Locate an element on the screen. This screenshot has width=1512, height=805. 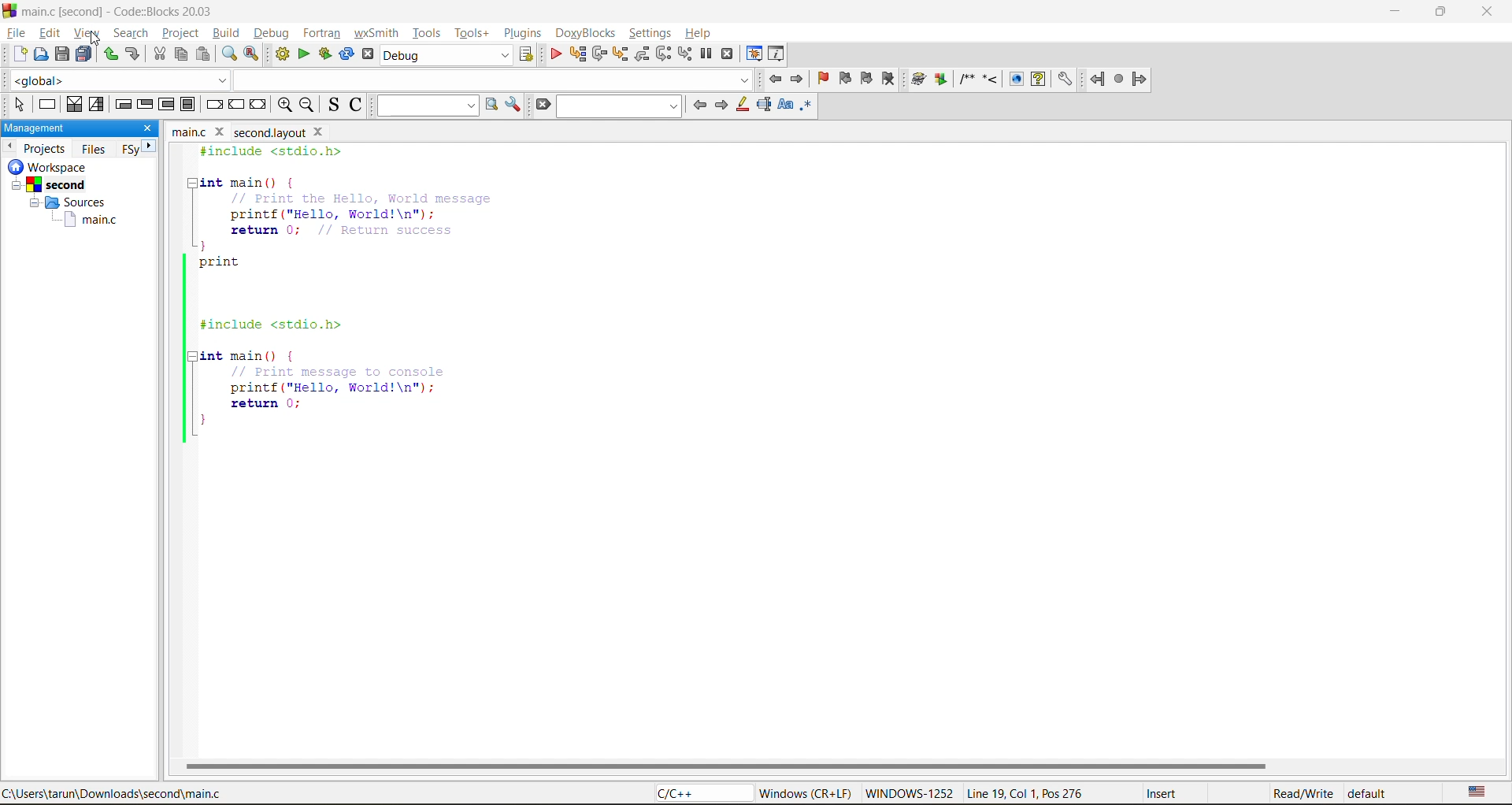
files is located at coordinates (95, 148).